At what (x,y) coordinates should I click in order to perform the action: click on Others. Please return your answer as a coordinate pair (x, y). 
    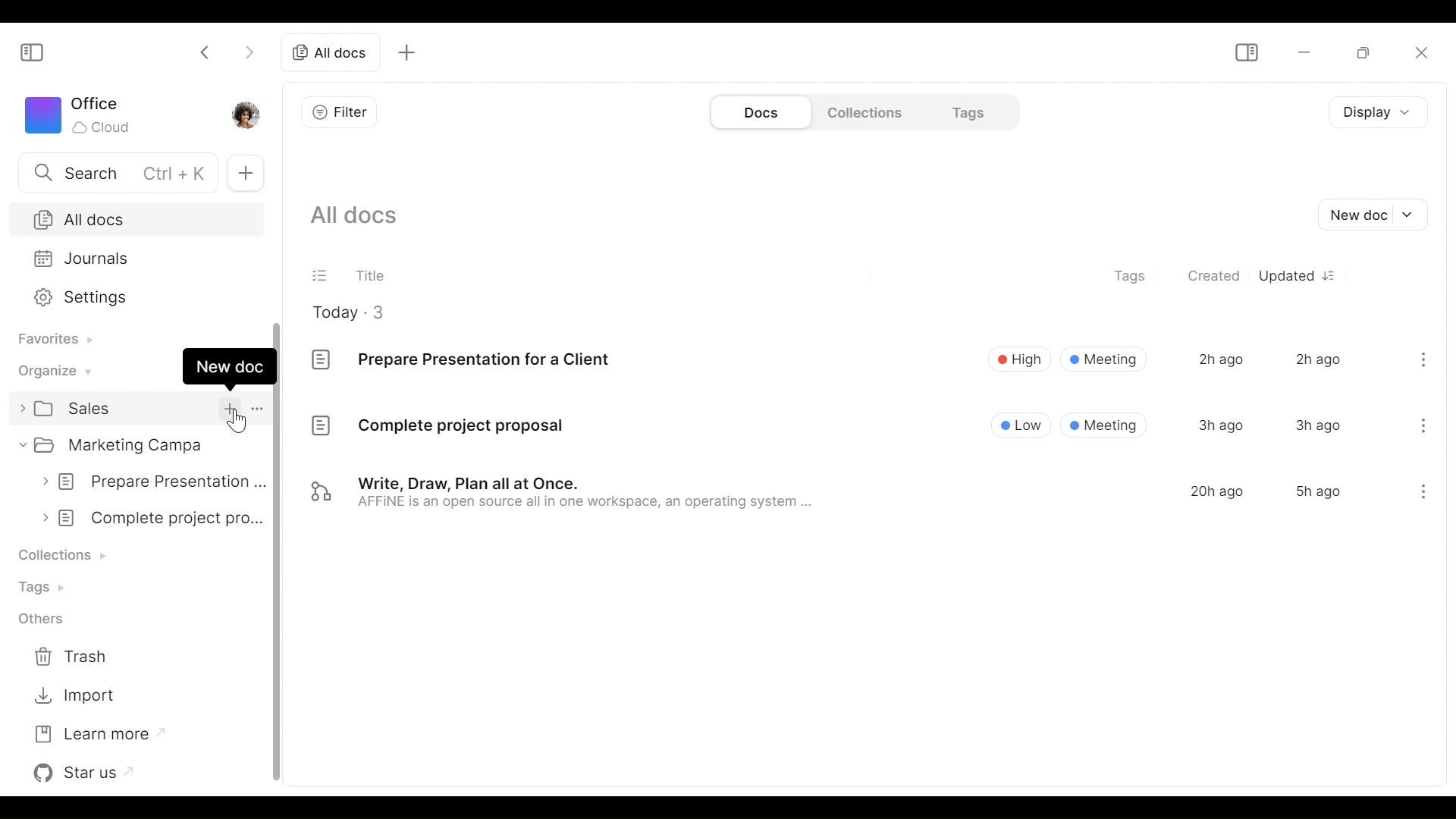
    Looking at the image, I should click on (46, 619).